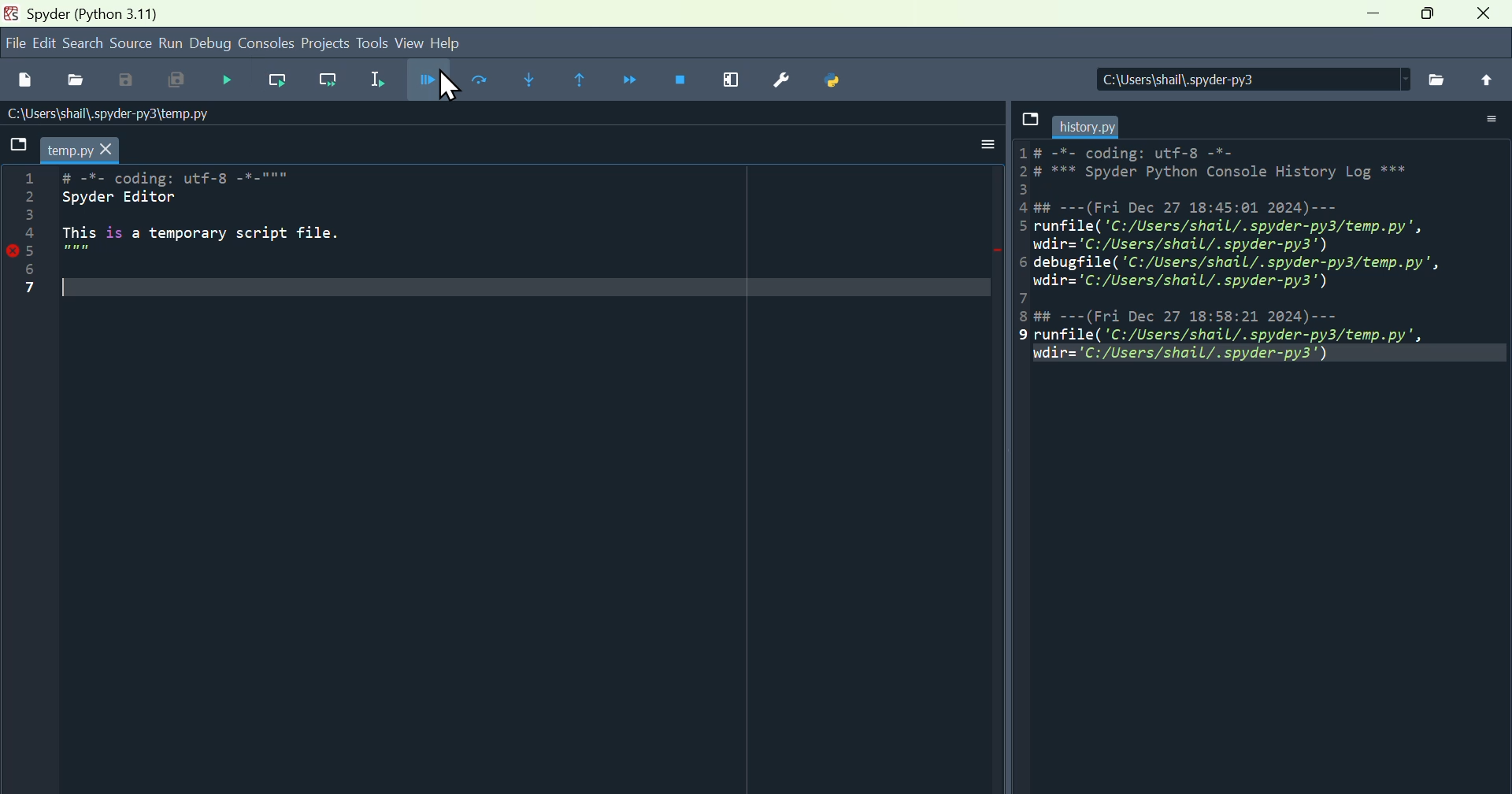  I want to click on Debug, so click(211, 46).